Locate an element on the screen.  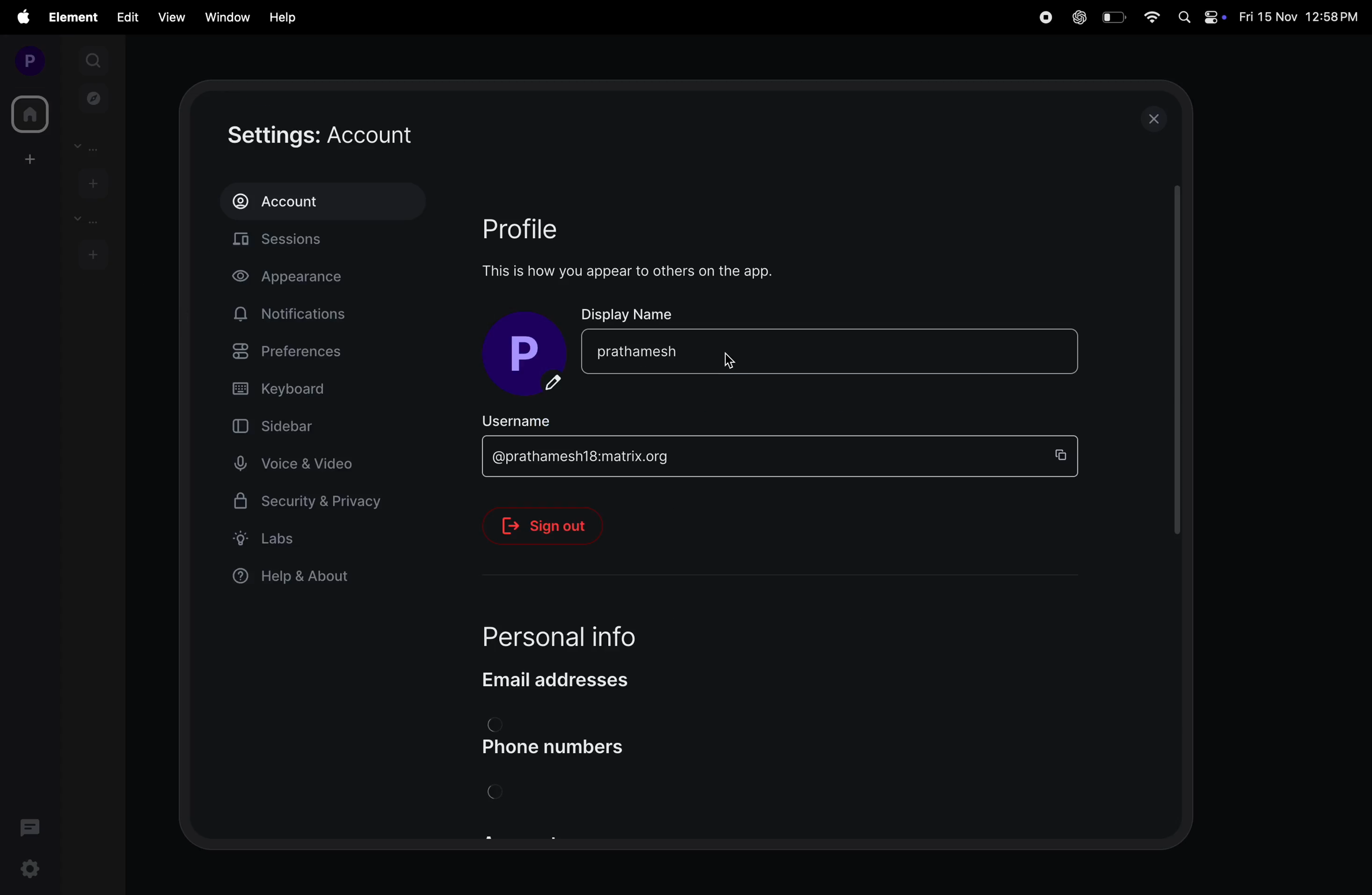
username is located at coordinates (533, 419).